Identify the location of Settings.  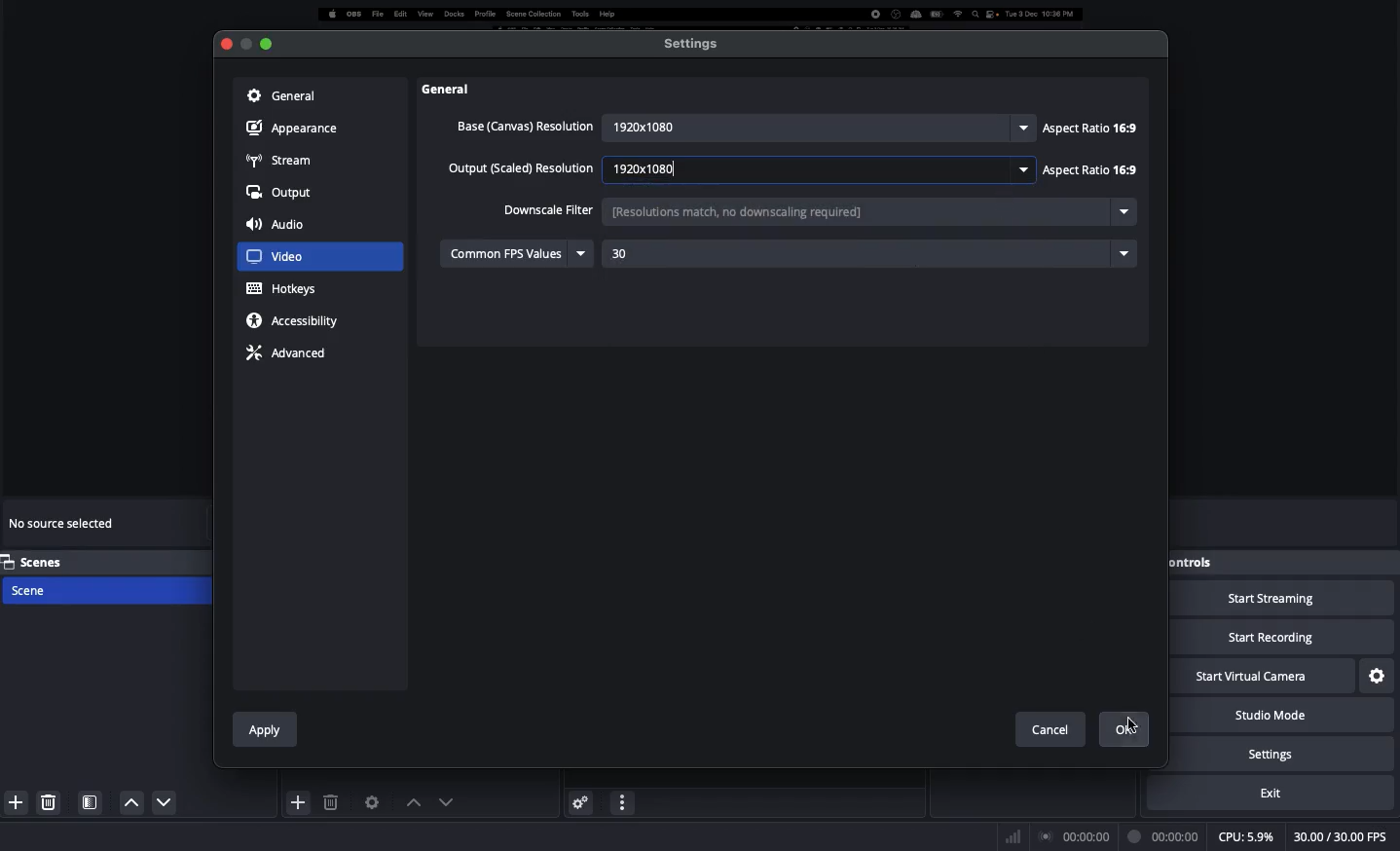
(1379, 674).